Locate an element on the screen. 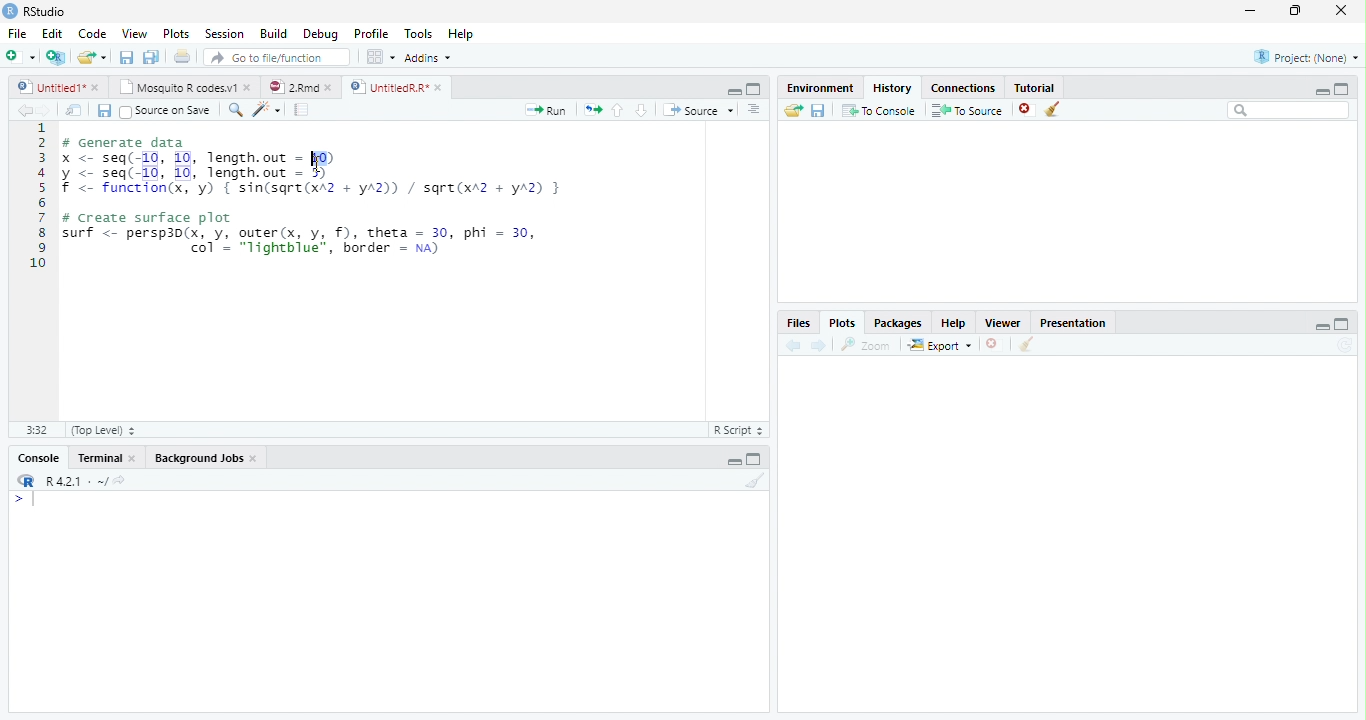  Close is located at coordinates (133, 458).